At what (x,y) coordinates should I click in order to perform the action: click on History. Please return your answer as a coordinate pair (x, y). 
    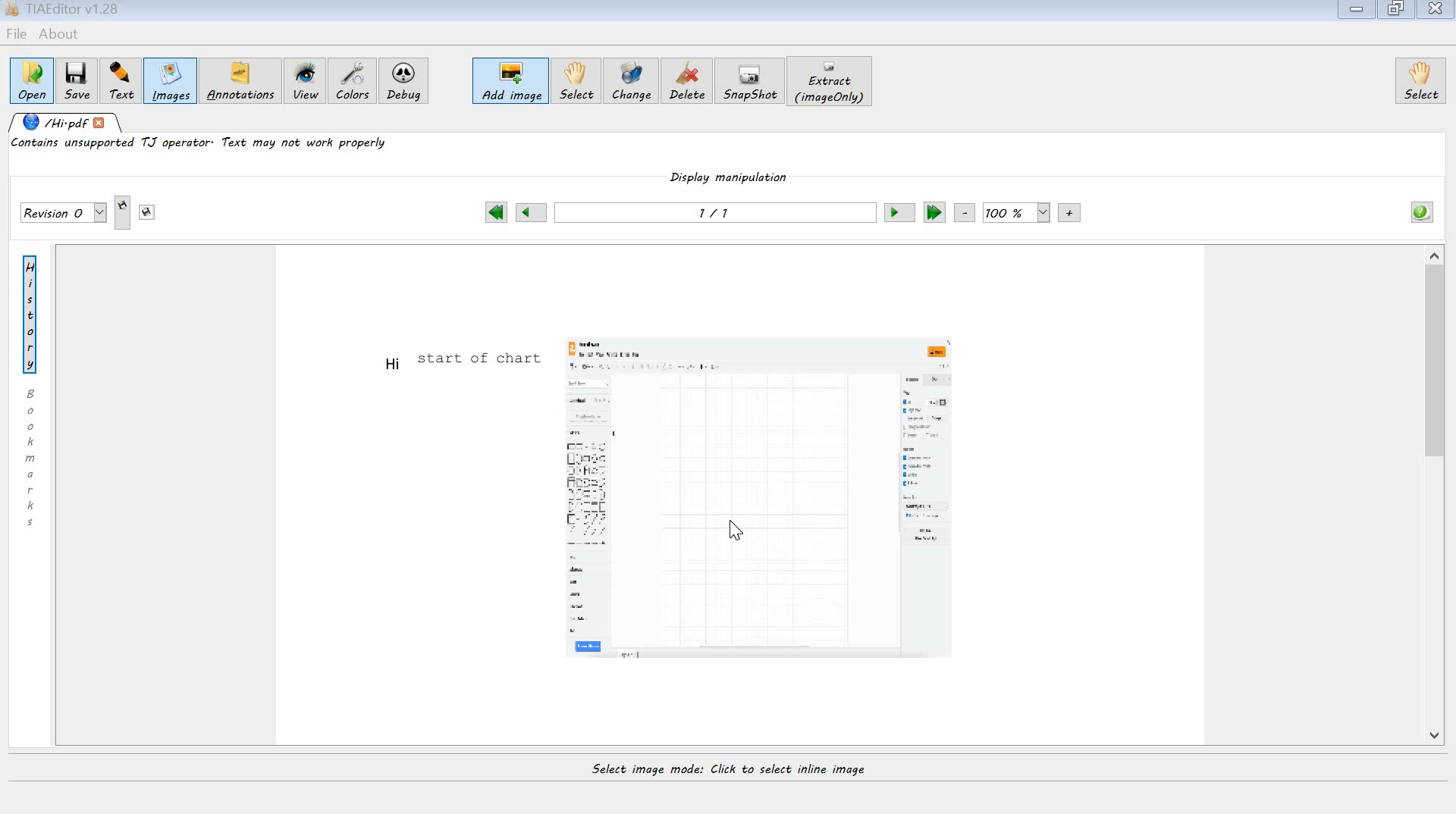
    Looking at the image, I should click on (34, 312).